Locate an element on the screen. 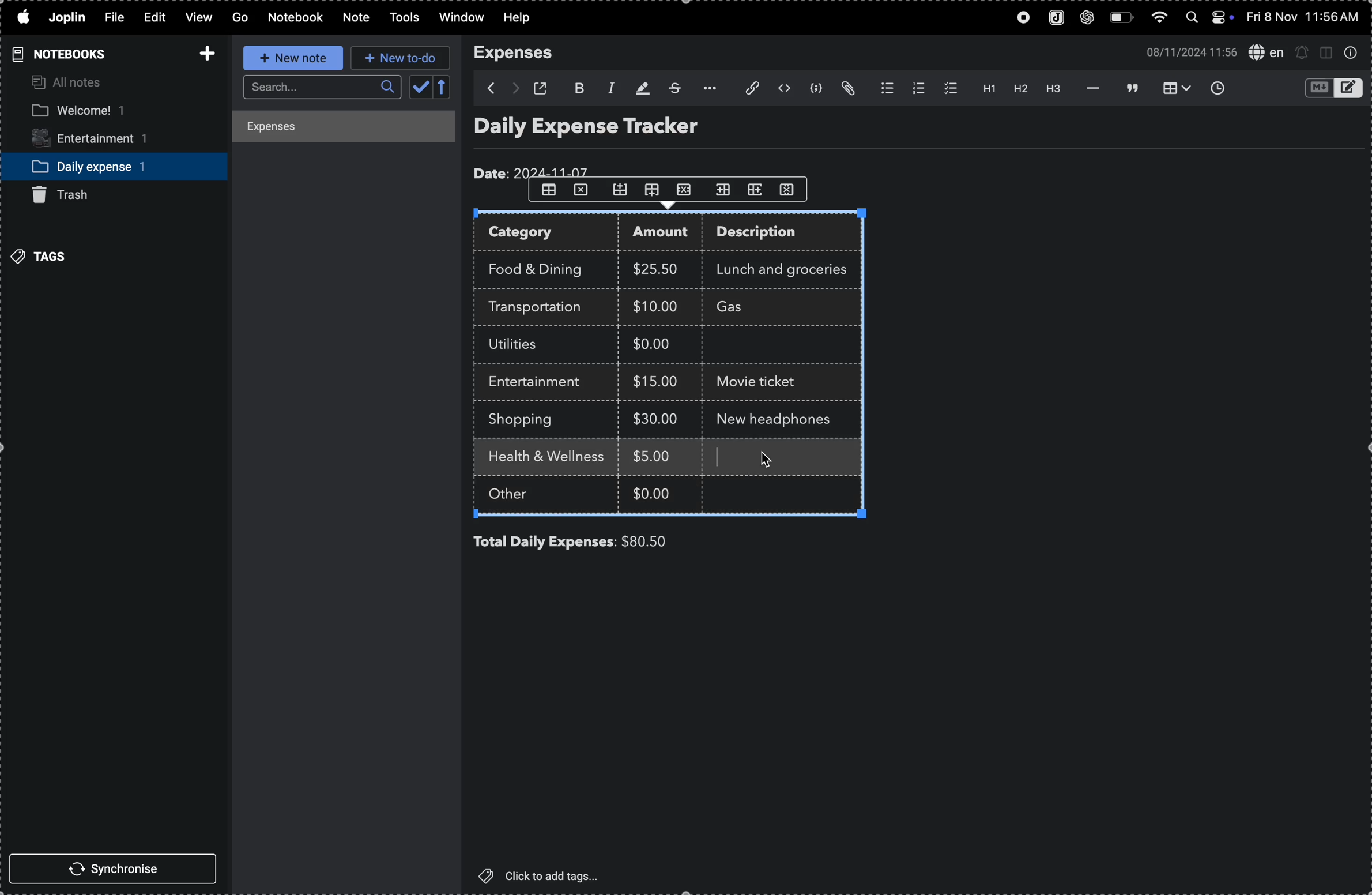  bulletlist is located at coordinates (884, 89).